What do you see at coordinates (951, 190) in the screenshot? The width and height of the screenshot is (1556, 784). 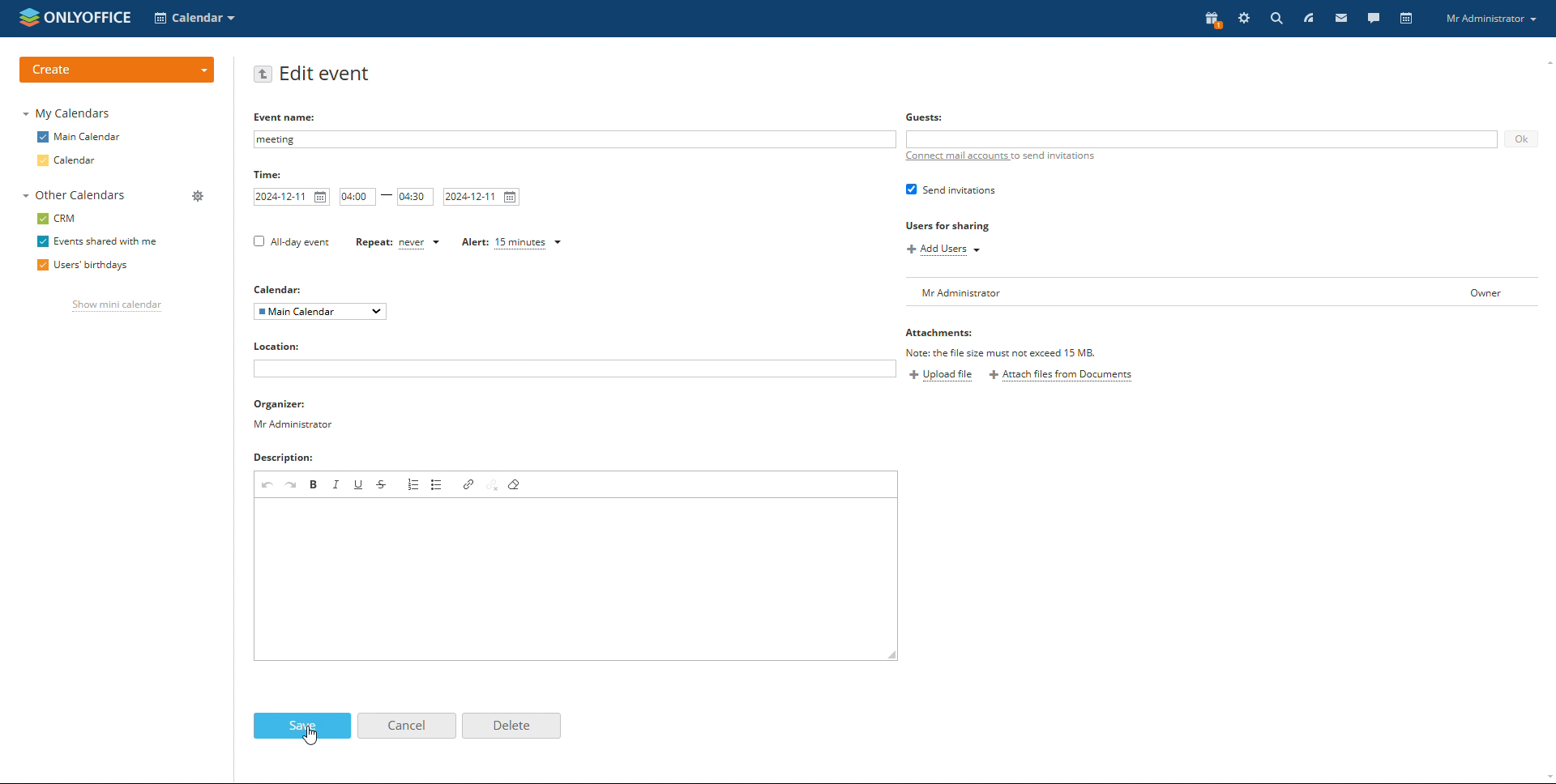 I see `send invitations` at bounding box center [951, 190].